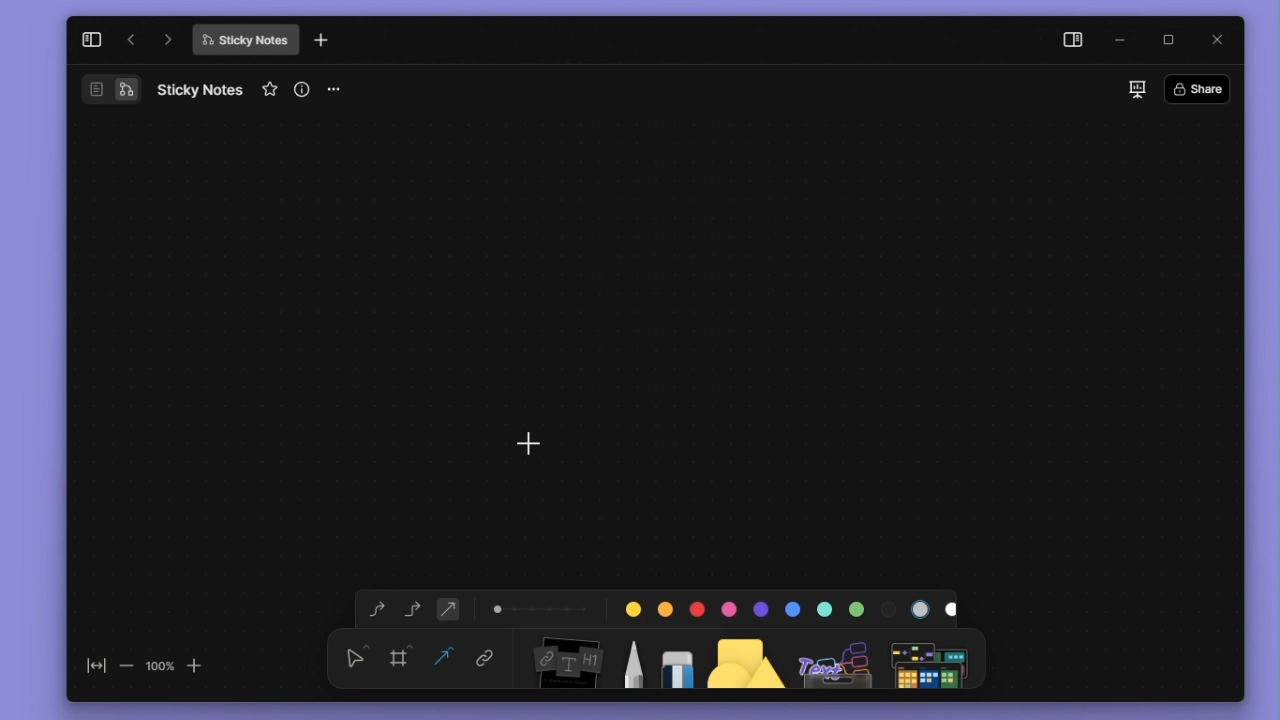 This screenshot has width=1280, height=720. What do you see at coordinates (530, 444) in the screenshot?
I see `mouse crosshair` at bounding box center [530, 444].